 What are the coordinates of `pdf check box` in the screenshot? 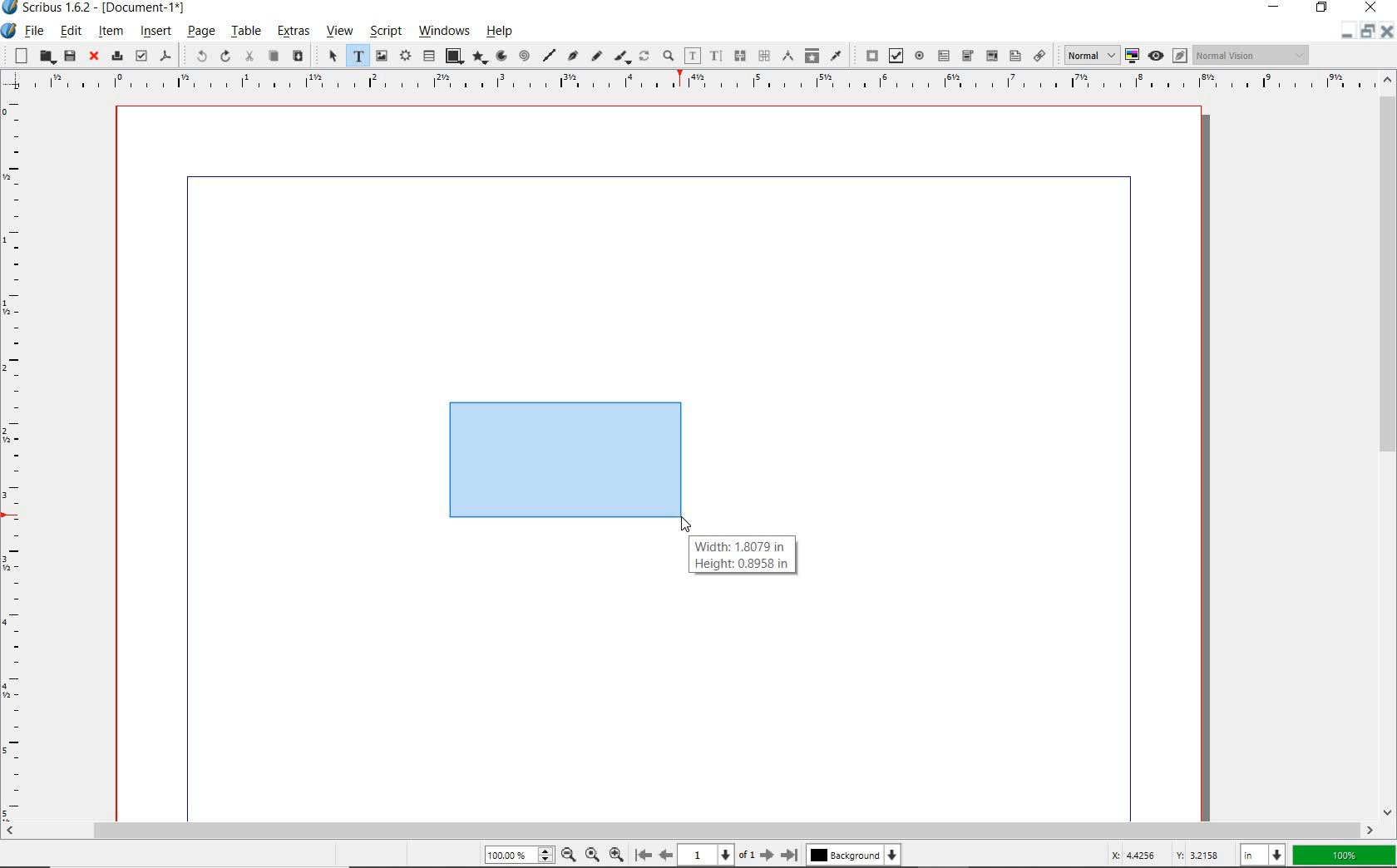 It's located at (894, 55).